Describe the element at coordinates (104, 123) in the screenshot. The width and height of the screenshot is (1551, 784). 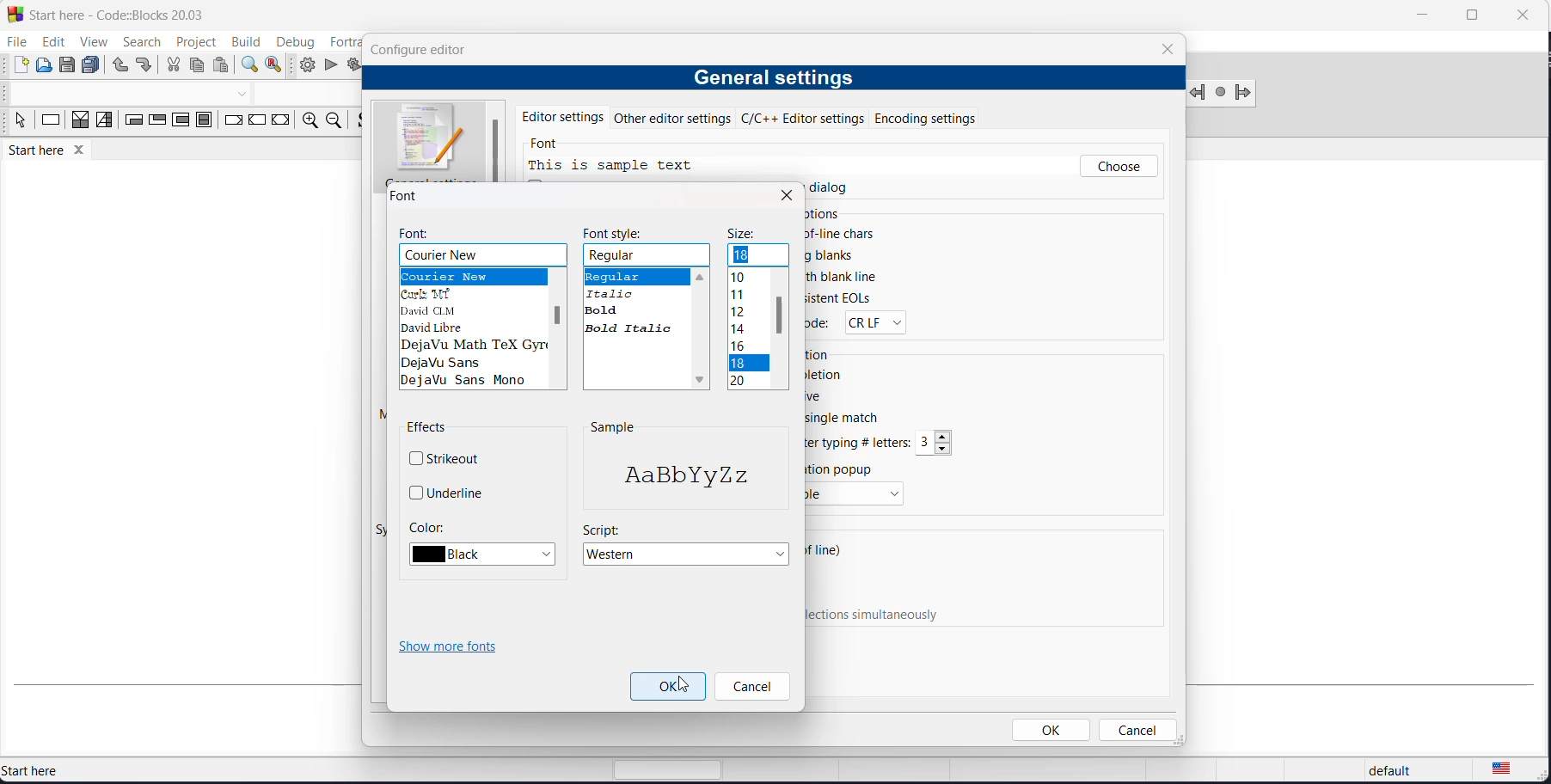
I see `selection` at that location.